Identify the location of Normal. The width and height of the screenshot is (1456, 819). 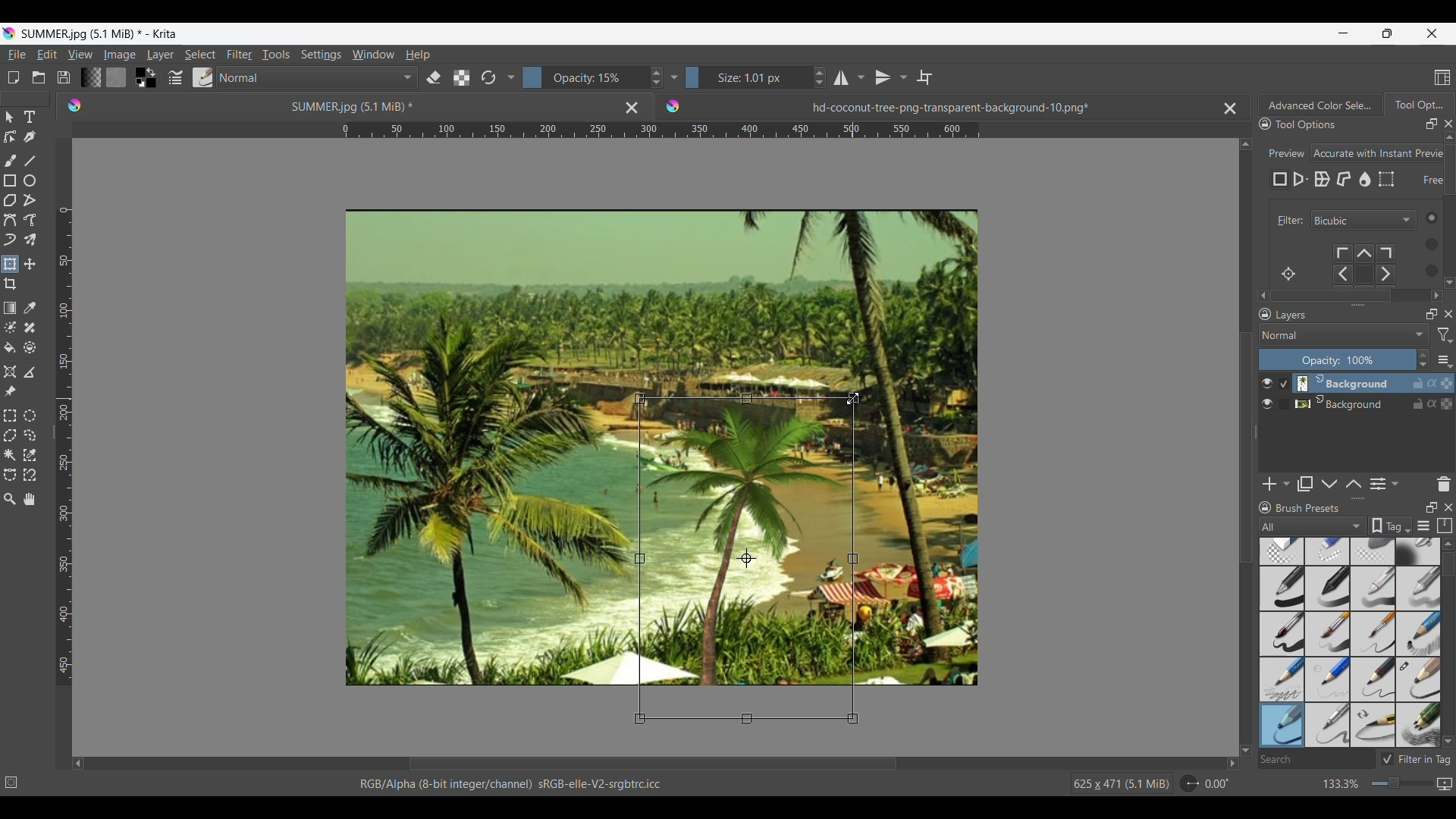
(317, 77).